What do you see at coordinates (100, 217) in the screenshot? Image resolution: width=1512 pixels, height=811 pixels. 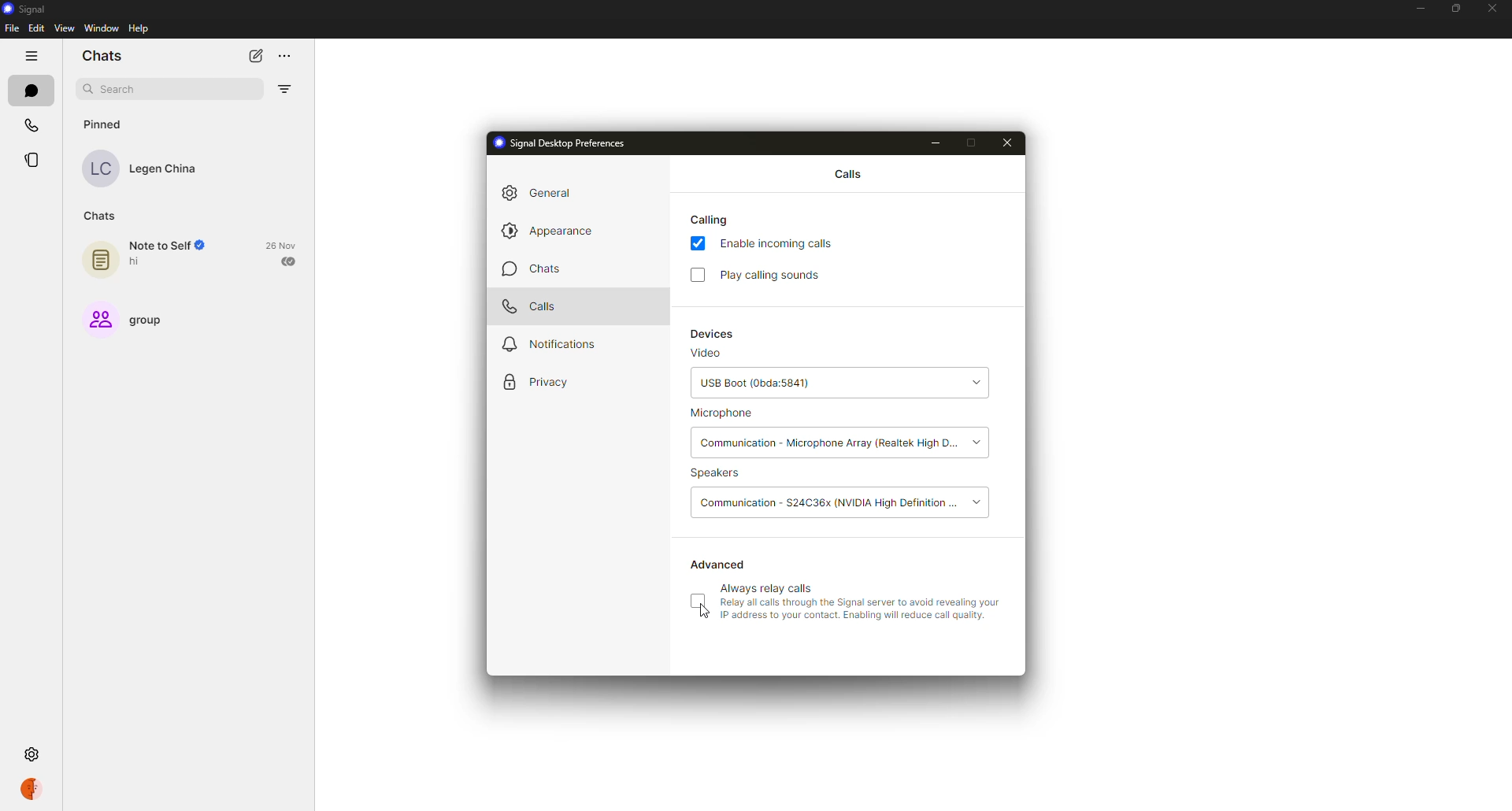 I see `chats` at bounding box center [100, 217].